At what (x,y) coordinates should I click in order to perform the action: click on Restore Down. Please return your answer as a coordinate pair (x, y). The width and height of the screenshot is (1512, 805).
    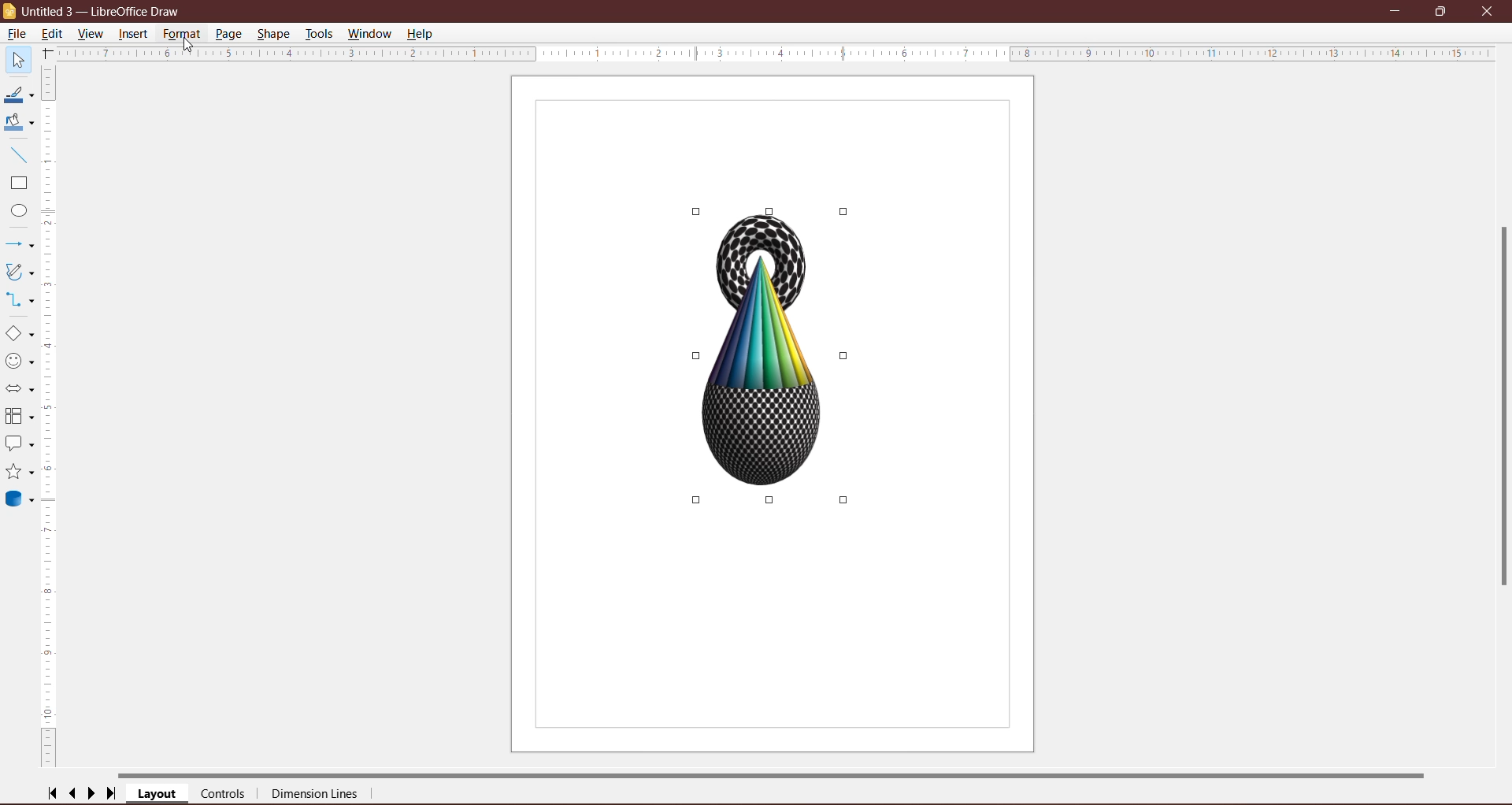
    Looking at the image, I should click on (1443, 11).